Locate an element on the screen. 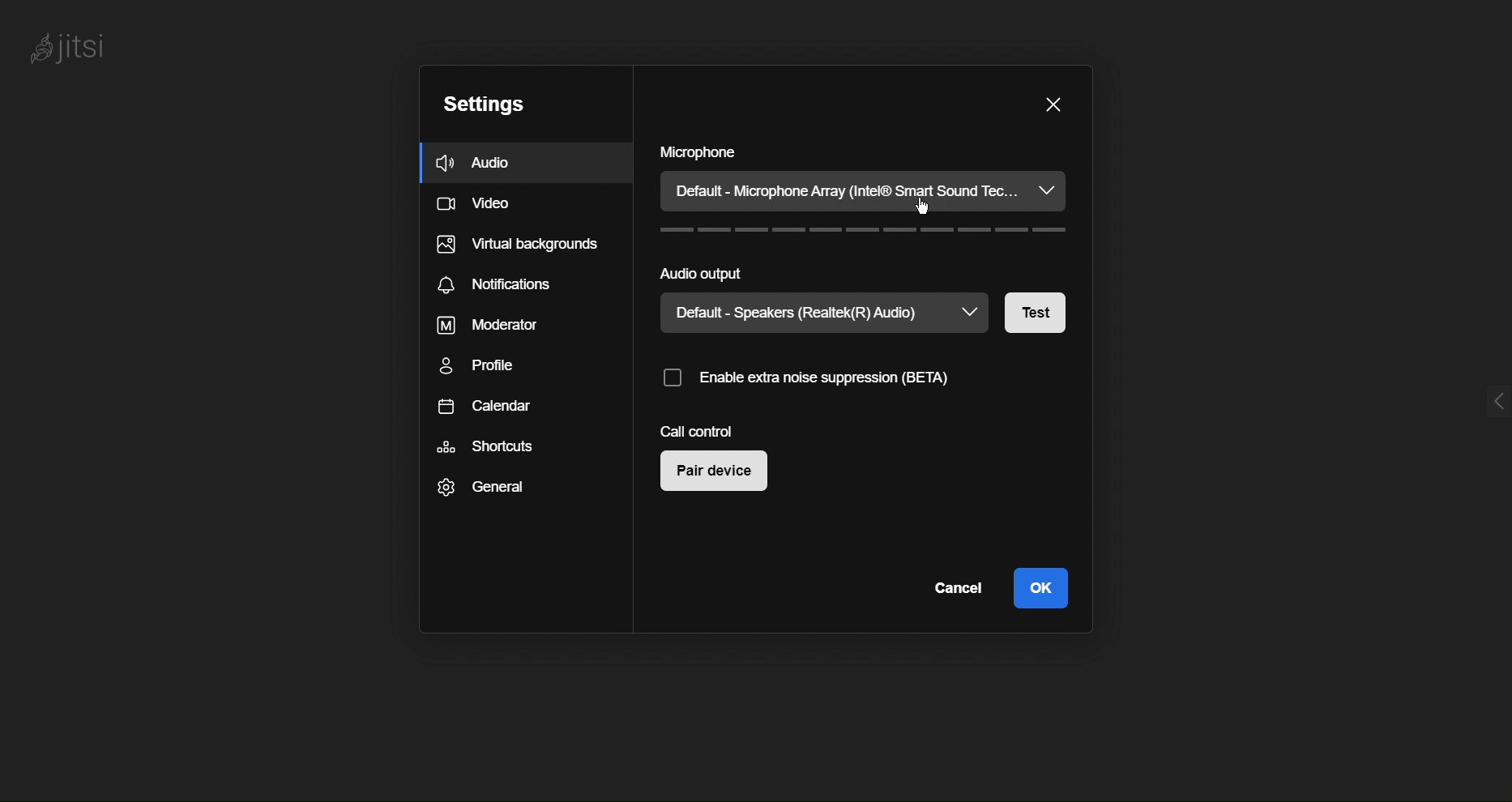  Close is located at coordinates (1050, 103).